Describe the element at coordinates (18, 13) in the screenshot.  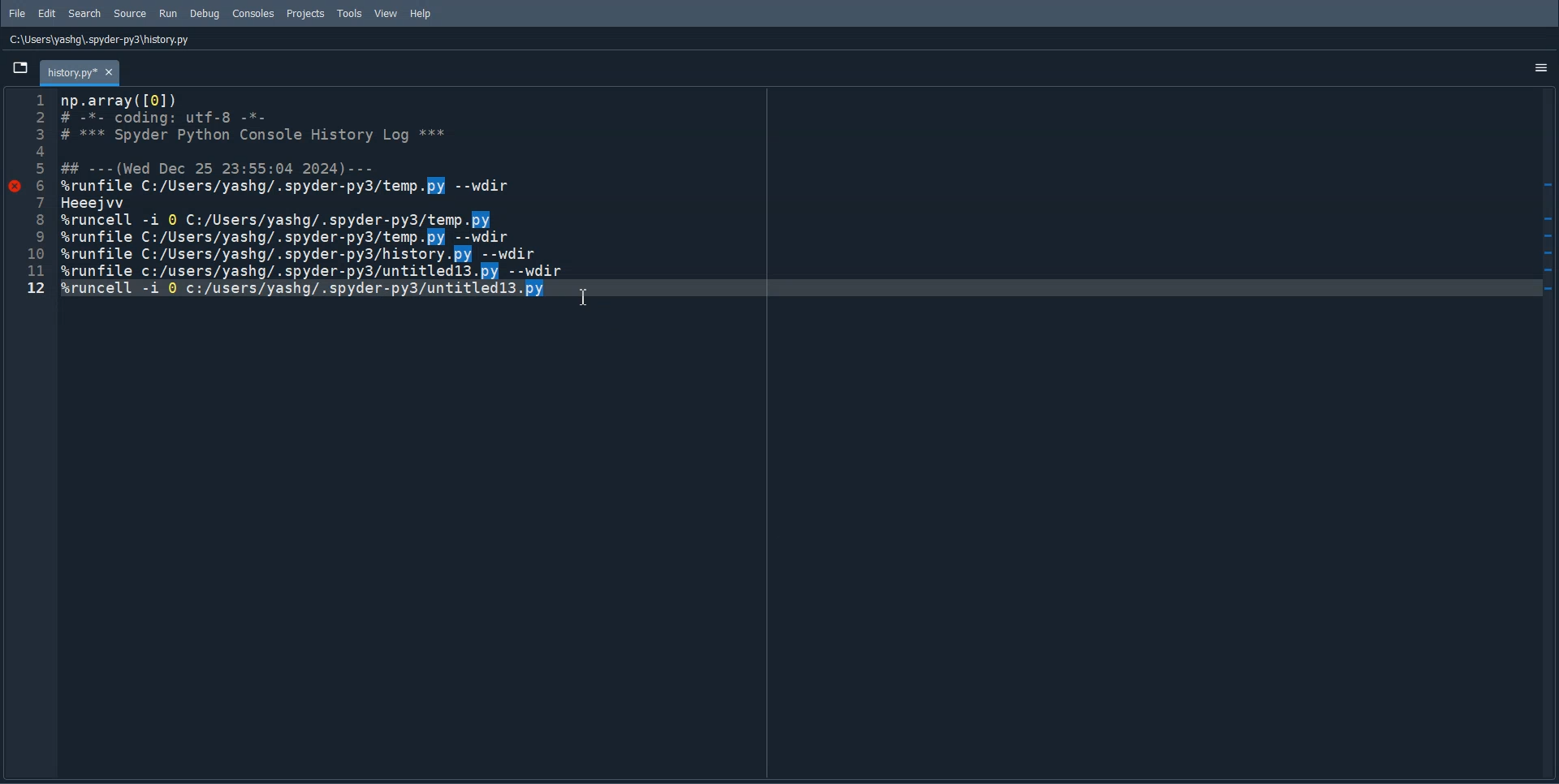
I see `File` at that location.